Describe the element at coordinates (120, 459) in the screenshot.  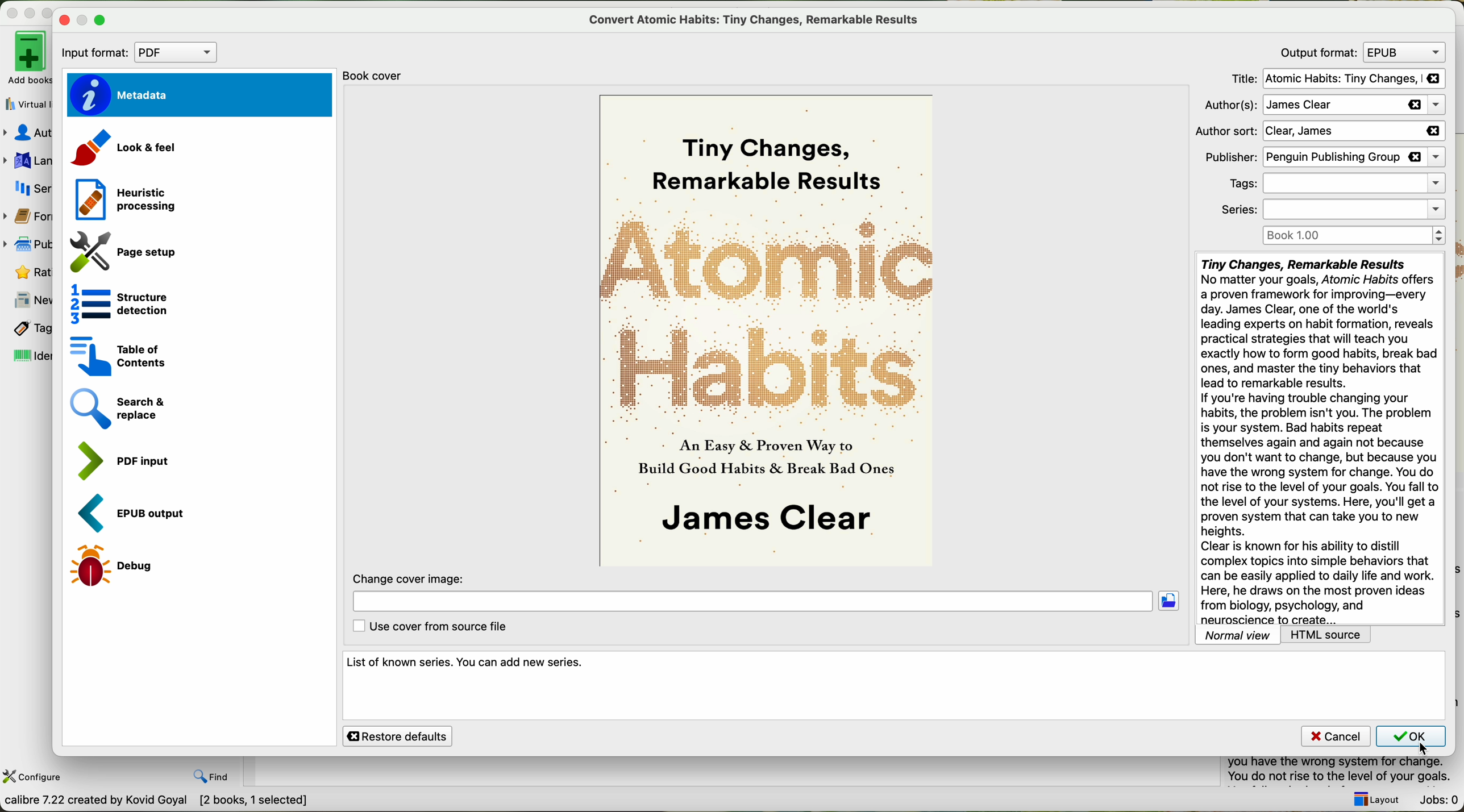
I see `PDF input` at that location.